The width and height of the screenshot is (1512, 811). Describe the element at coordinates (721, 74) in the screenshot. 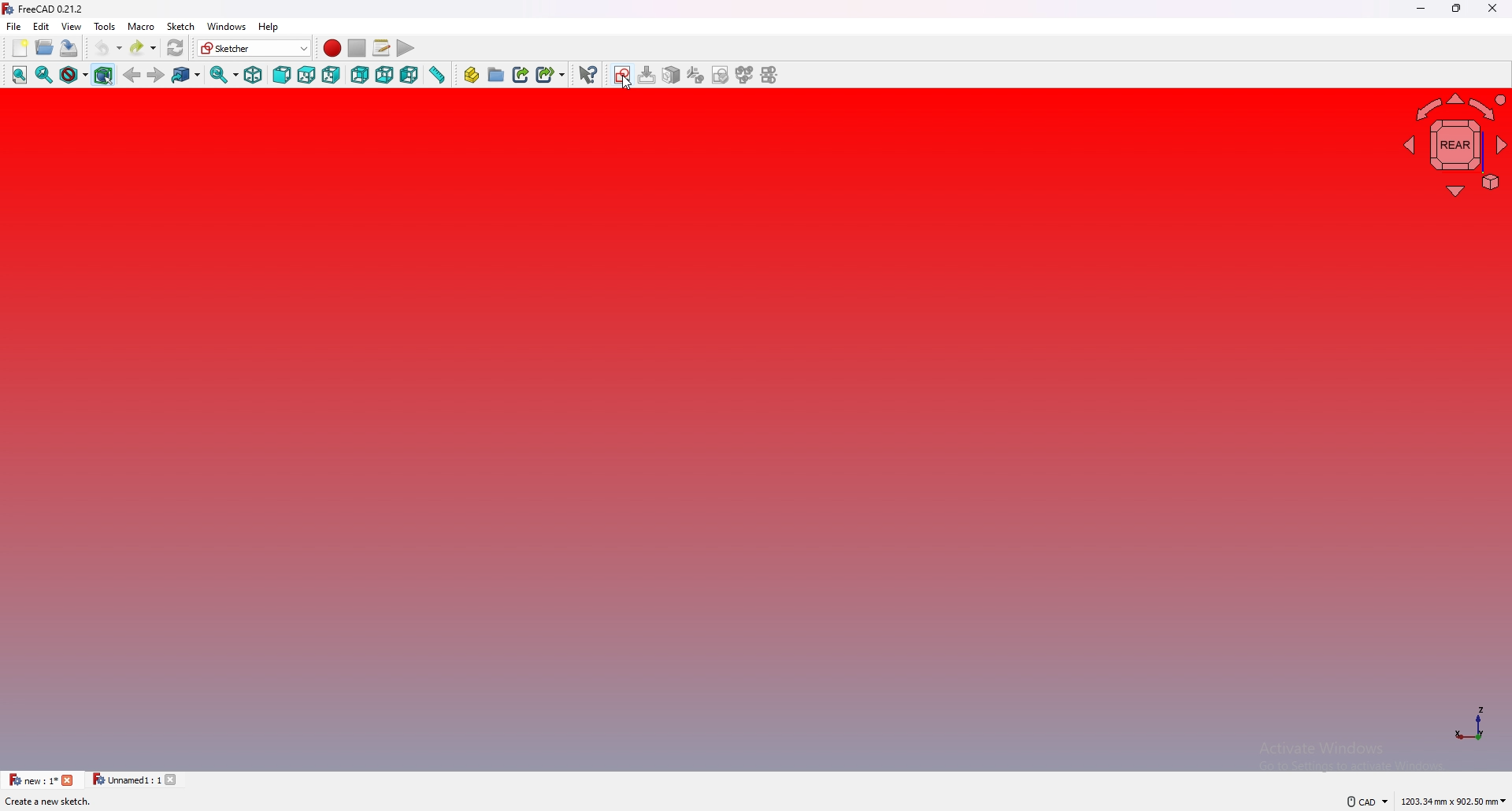

I see `draw` at that location.